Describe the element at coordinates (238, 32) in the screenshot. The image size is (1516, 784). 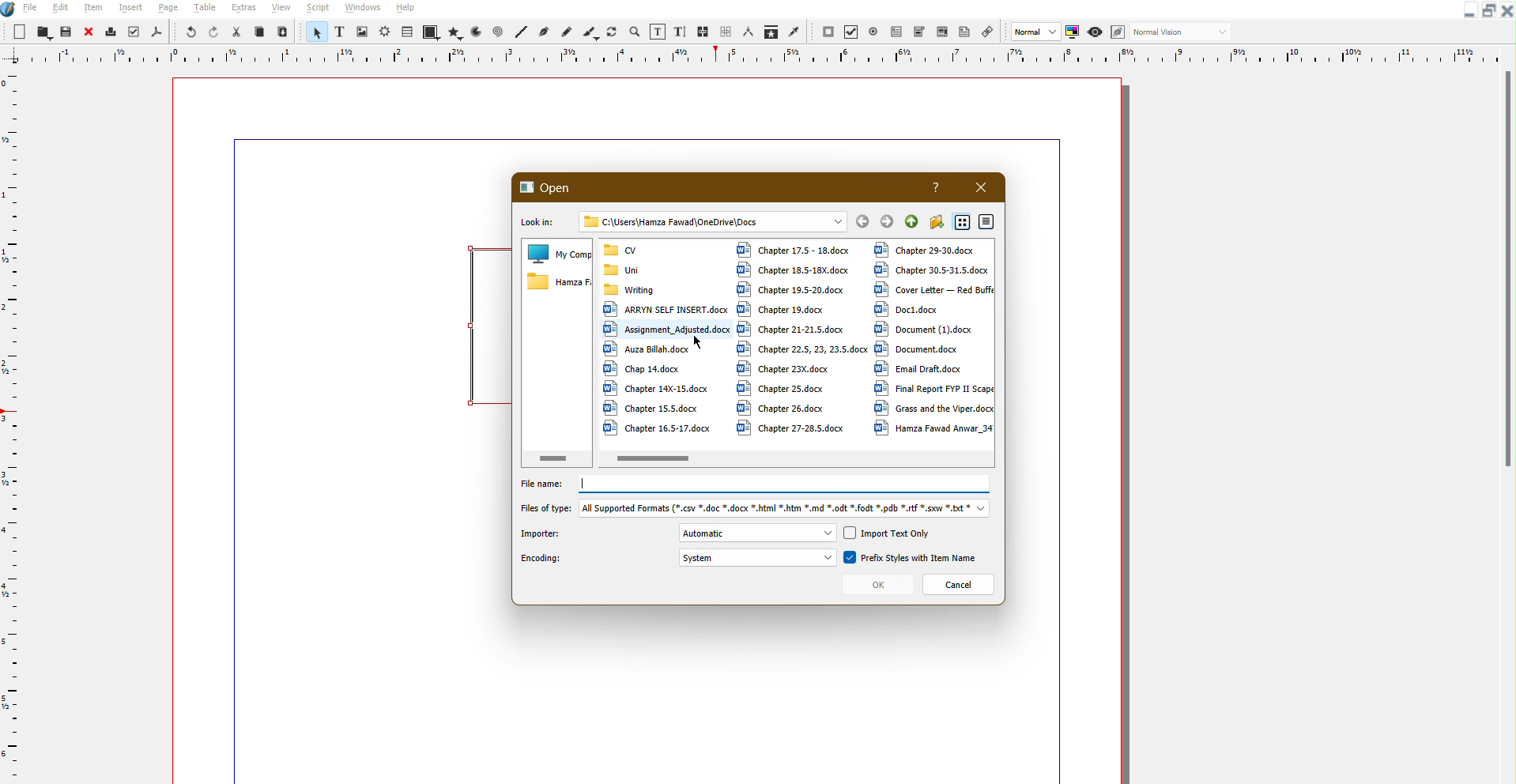
I see `Cut` at that location.